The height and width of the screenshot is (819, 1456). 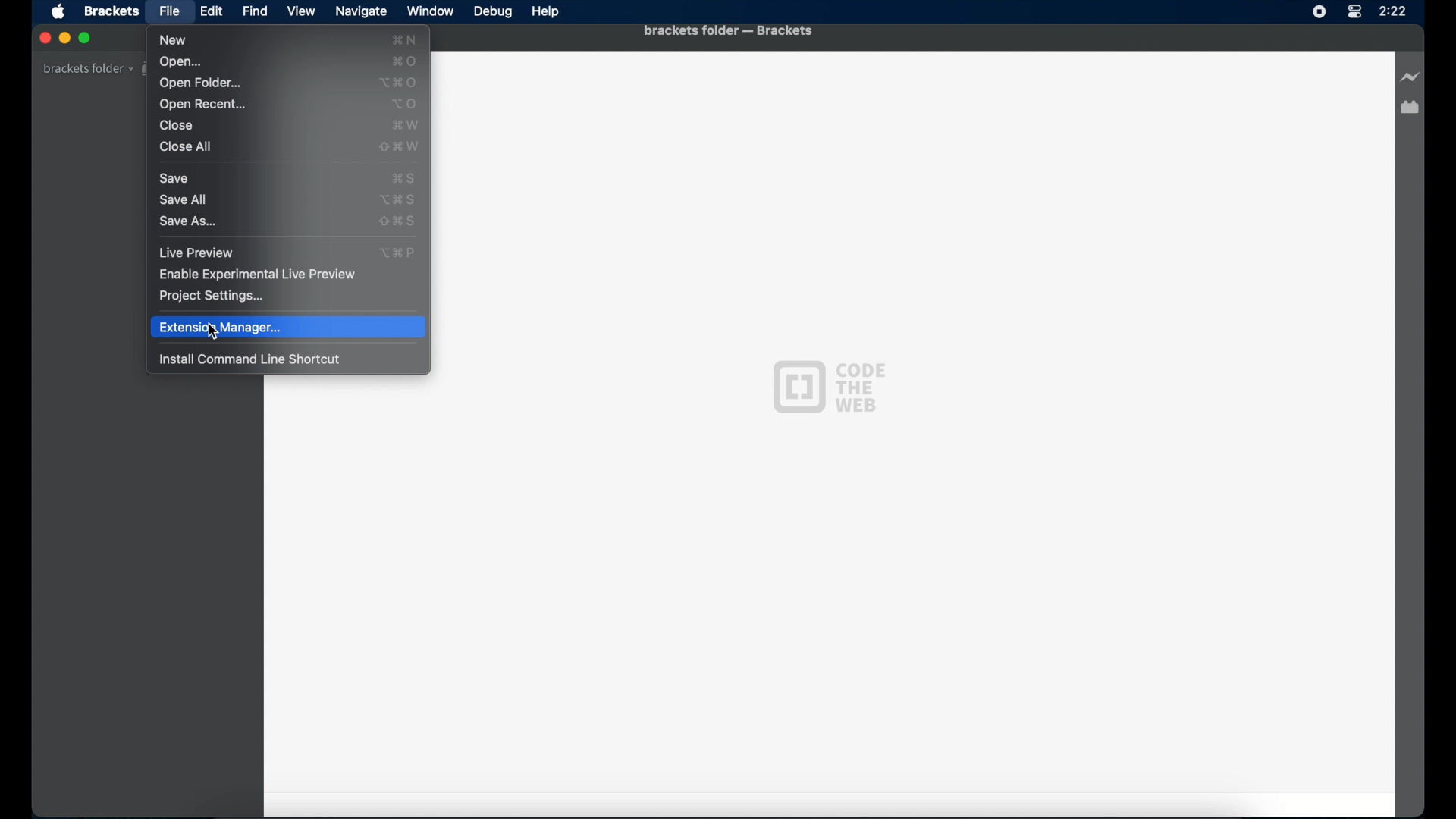 What do you see at coordinates (400, 253) in the screenshot?
I see `live  preview shortcut` at bounding box center [400, 253].